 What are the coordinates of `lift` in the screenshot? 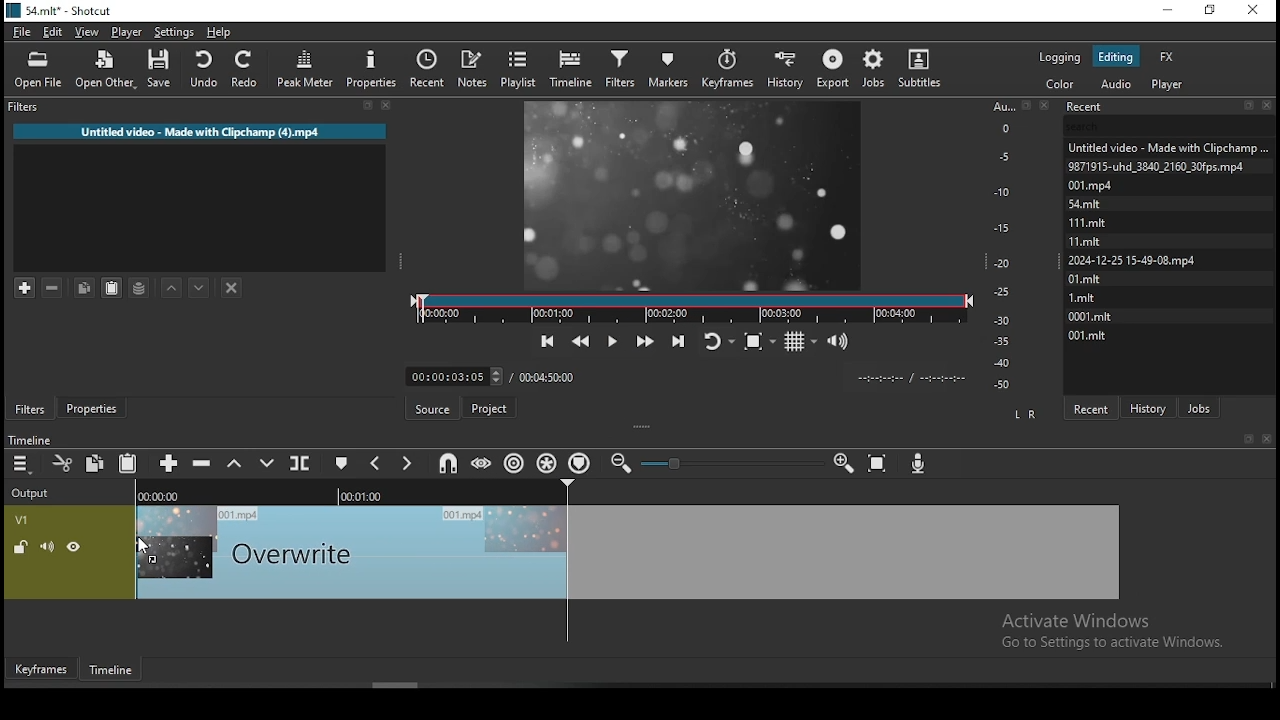 It's located at (232, 464).